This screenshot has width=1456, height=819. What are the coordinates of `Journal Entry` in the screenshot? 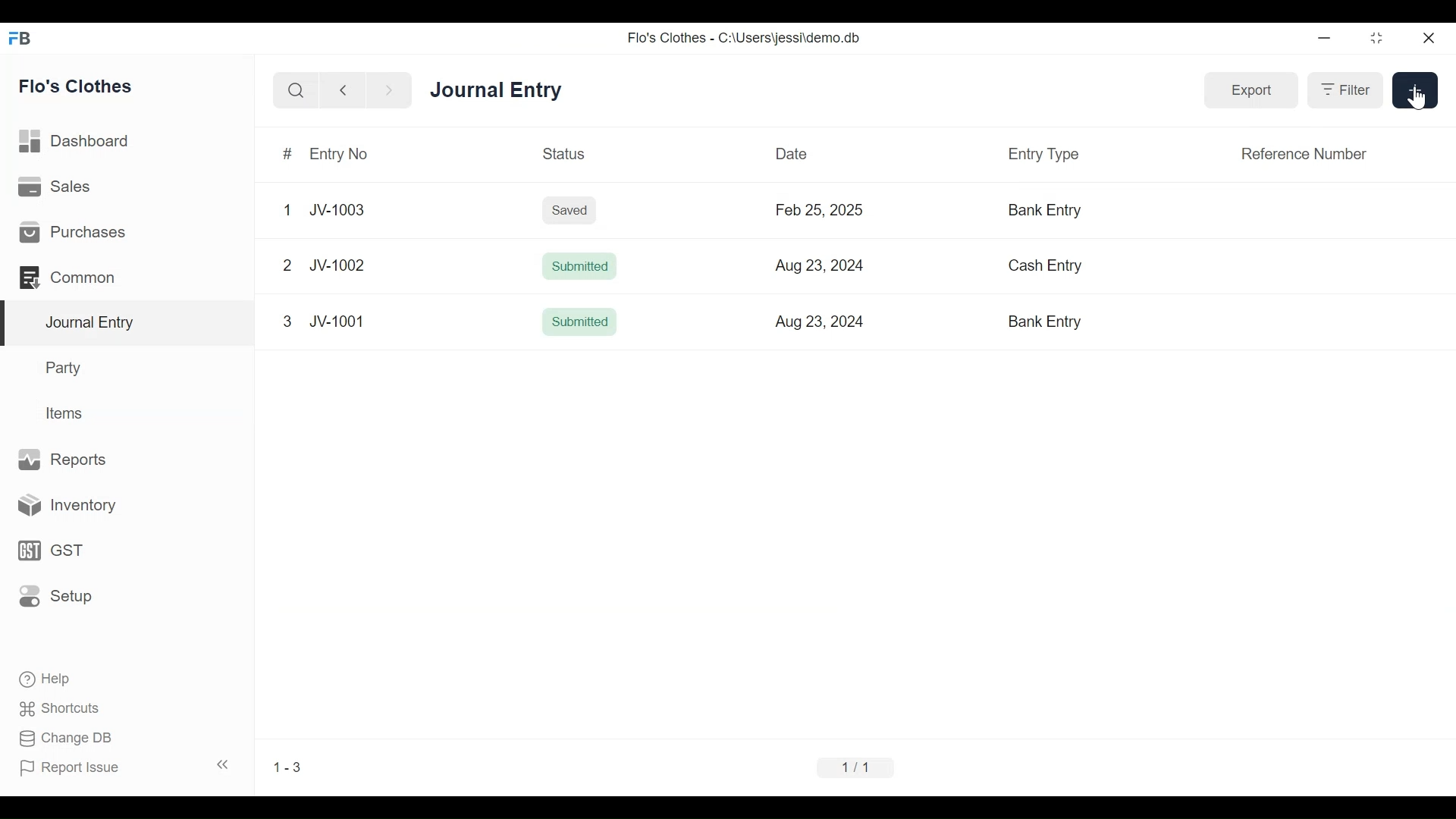 It's located at (502, 90).